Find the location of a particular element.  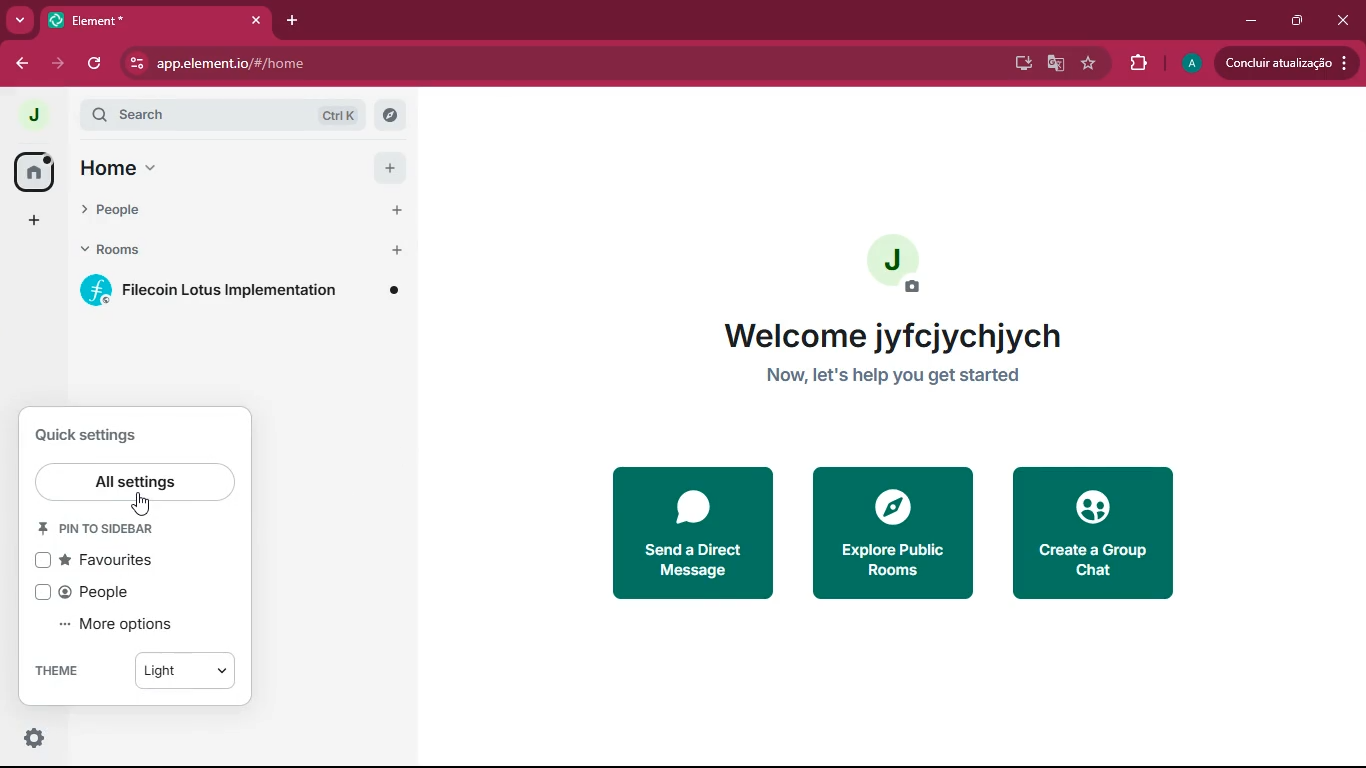

extensions is located at coordinates (1139, 63).